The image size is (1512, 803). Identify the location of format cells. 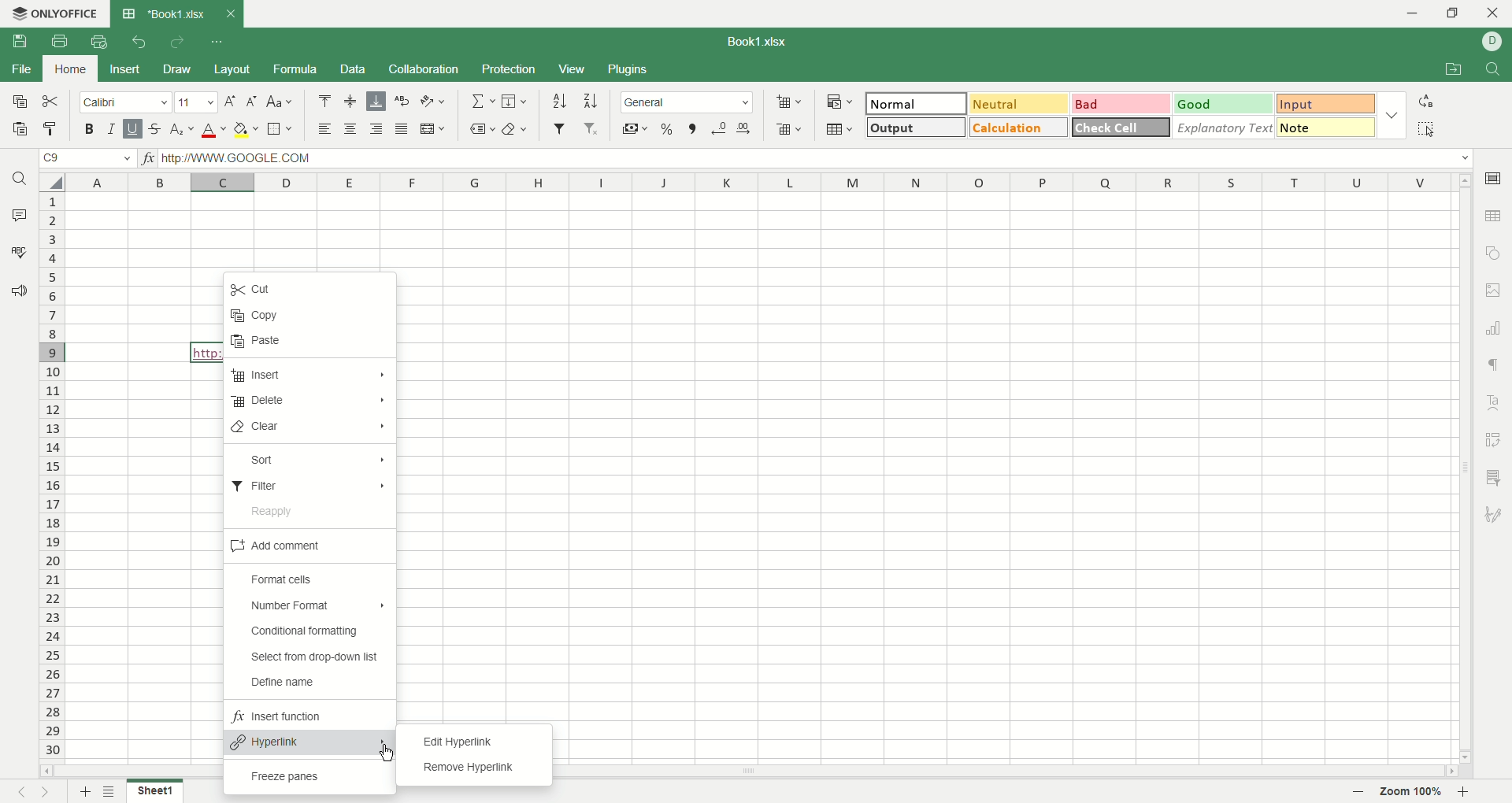
(291, 577).